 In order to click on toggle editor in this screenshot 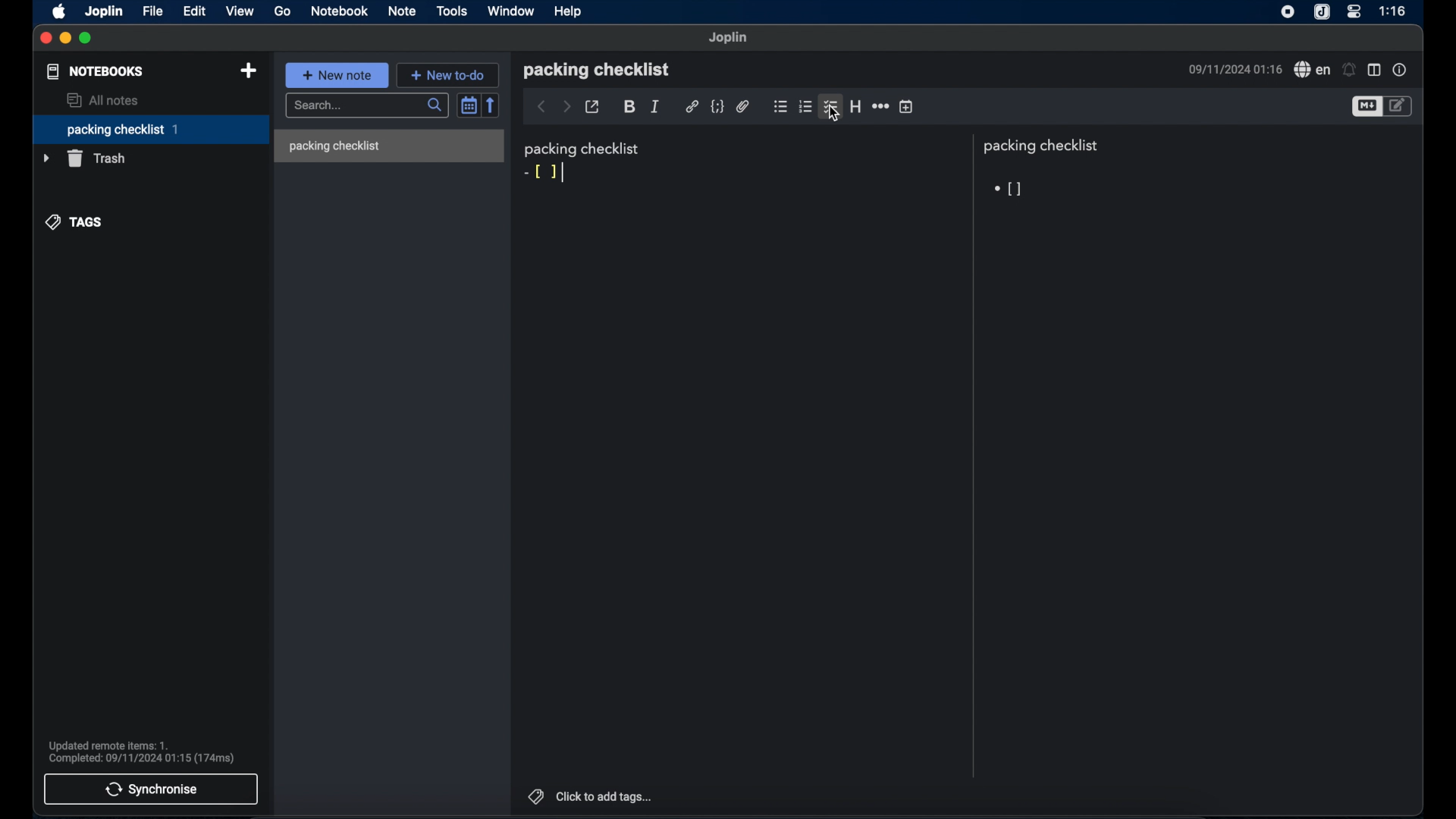, I will do `click(1366, 107)`.